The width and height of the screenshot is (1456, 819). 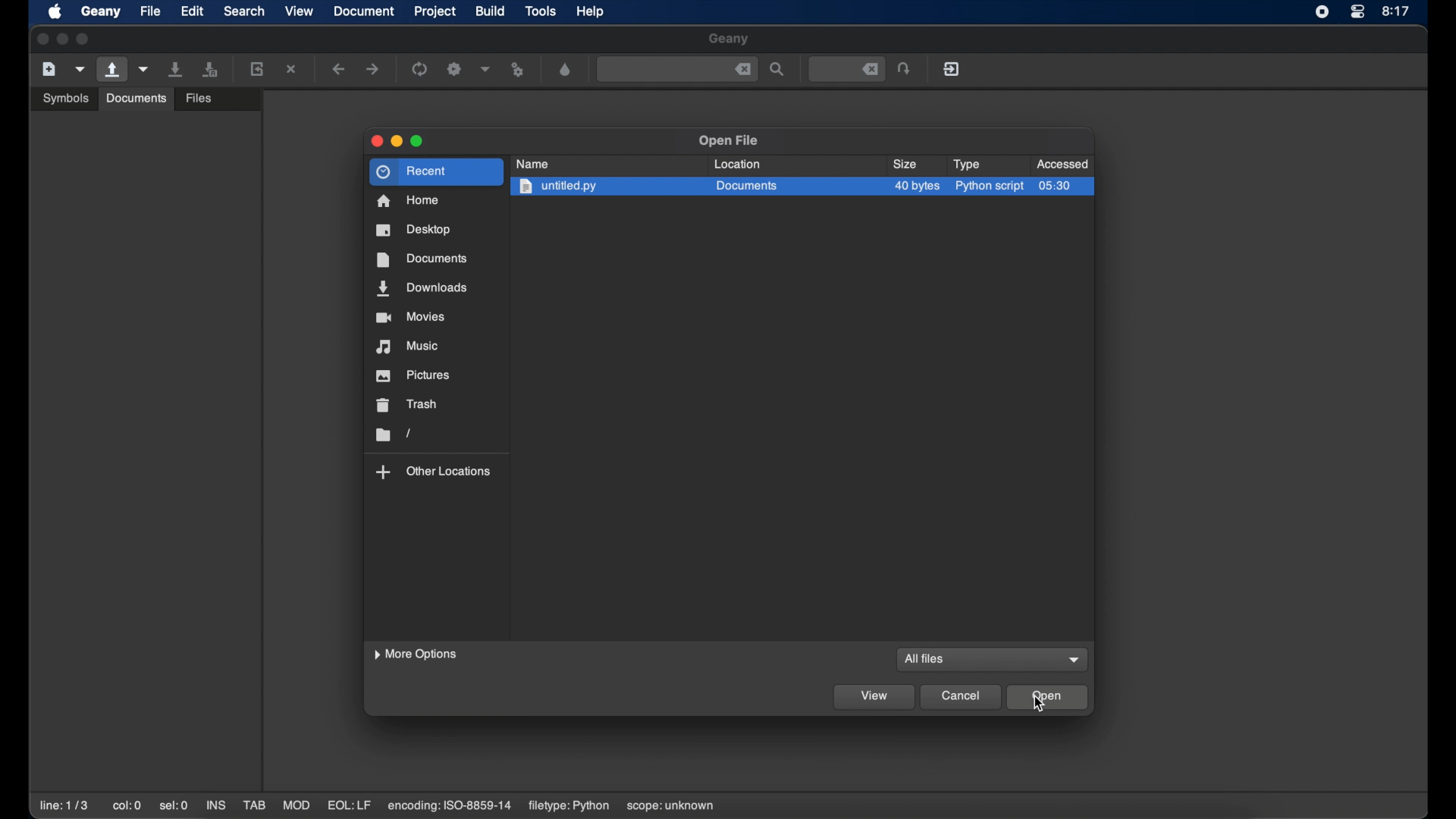 What do you see at coordinates (435, 11) in the screenshot?
I see `project` at bounding box center [435, 11].